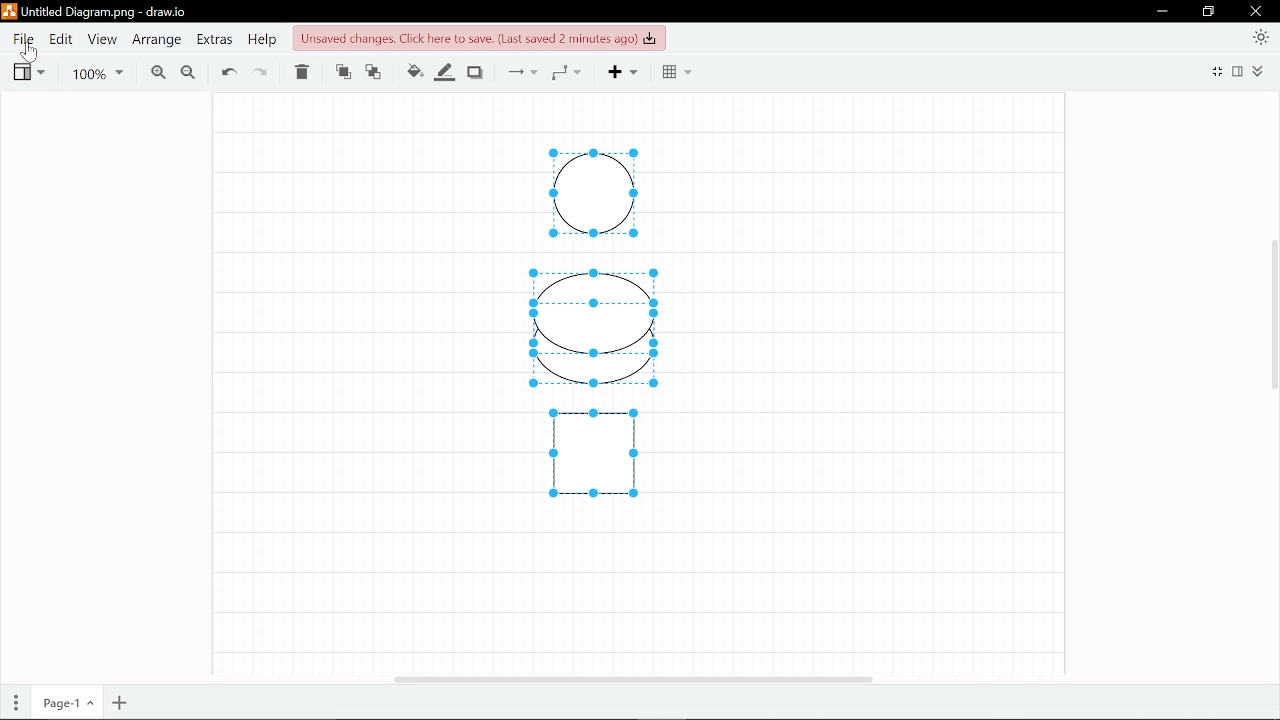 Image resolution: width=1280 pixels, height=720 pixels. Describe the element at coordinates (30, 55) in the screenshot. I see `cursor` at that location.